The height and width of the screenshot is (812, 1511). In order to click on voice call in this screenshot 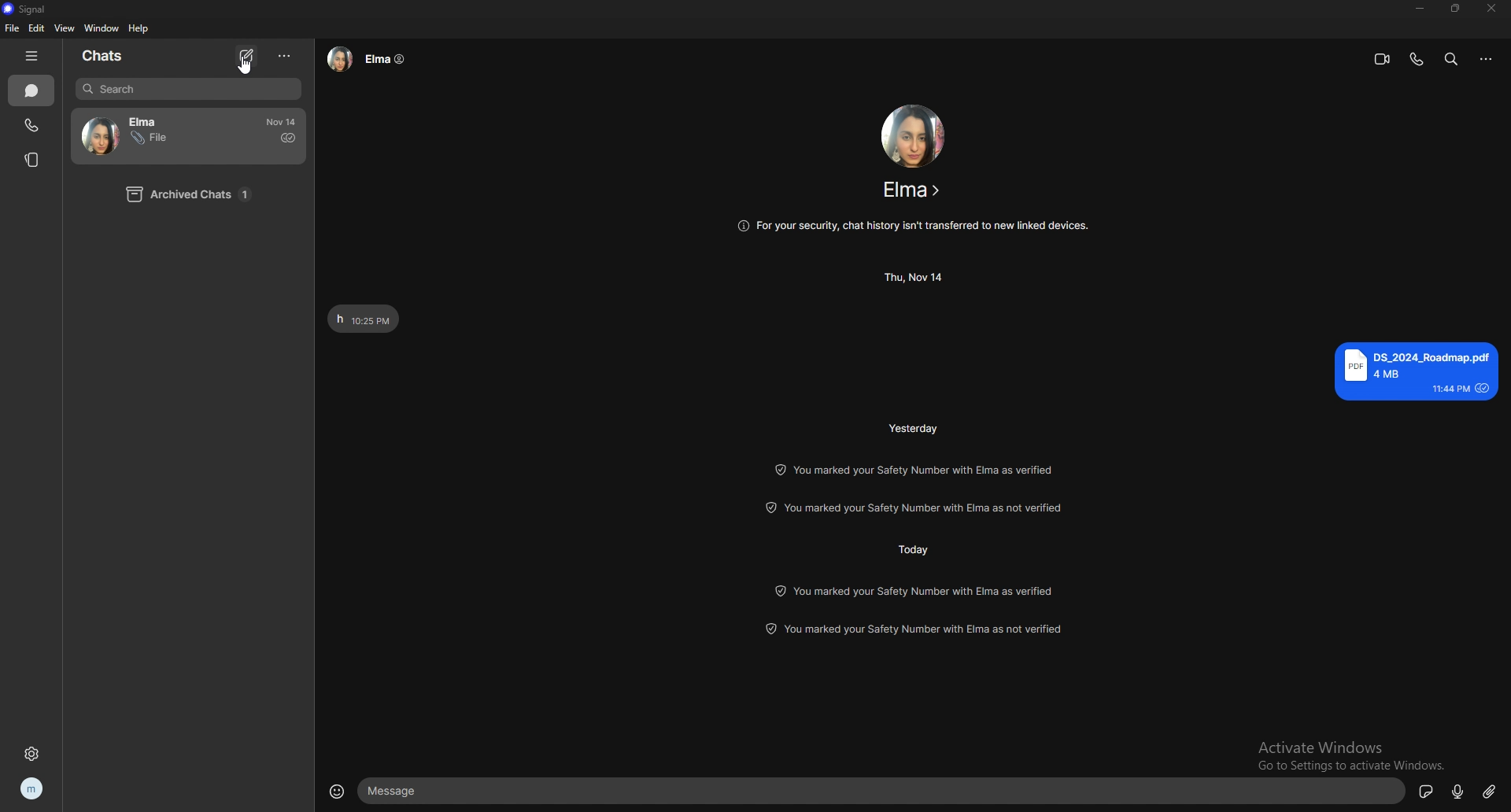, I will do `click(1416, 59)`.